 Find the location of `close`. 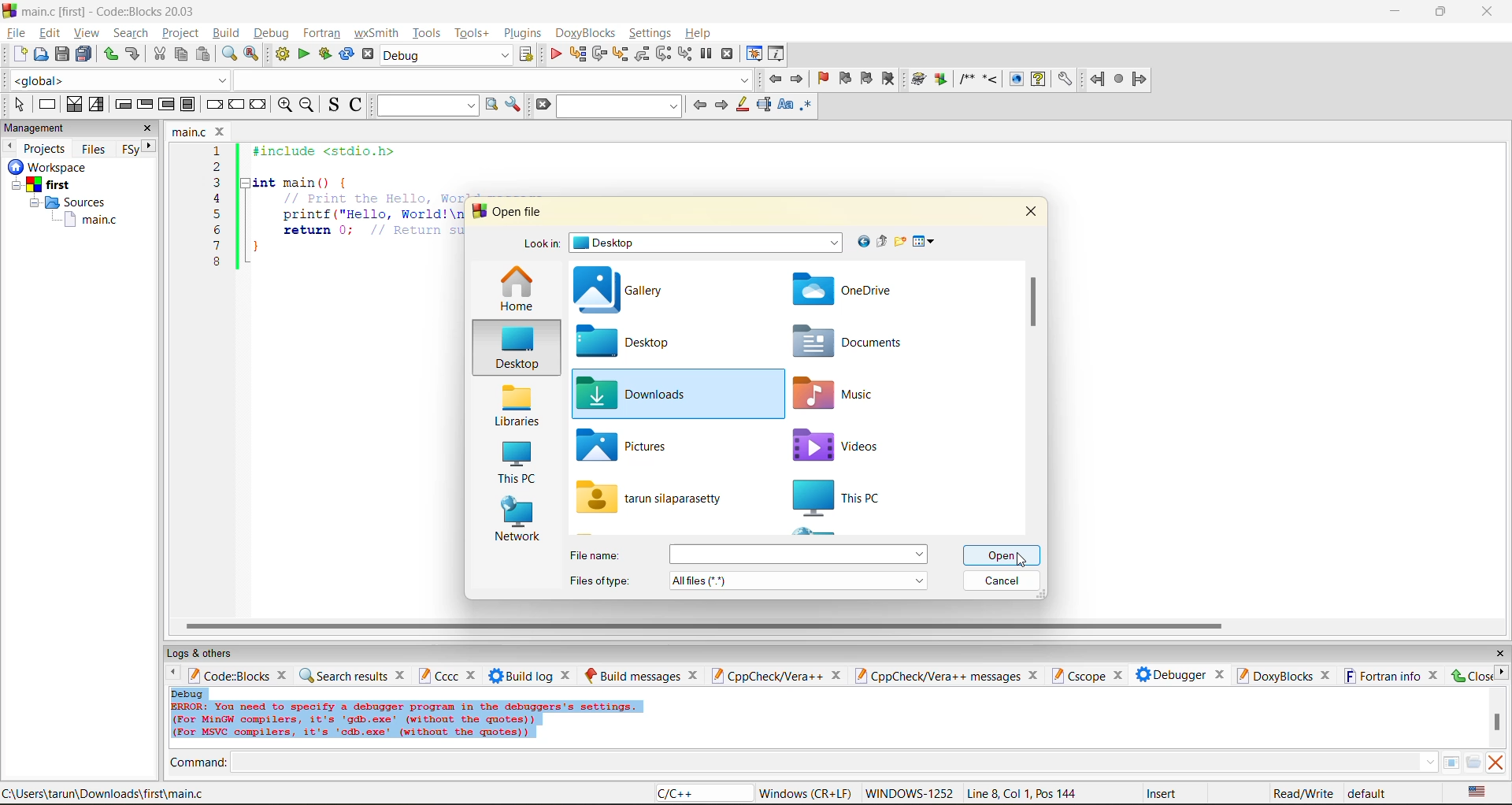

close is located at coordinates (1220, 673).